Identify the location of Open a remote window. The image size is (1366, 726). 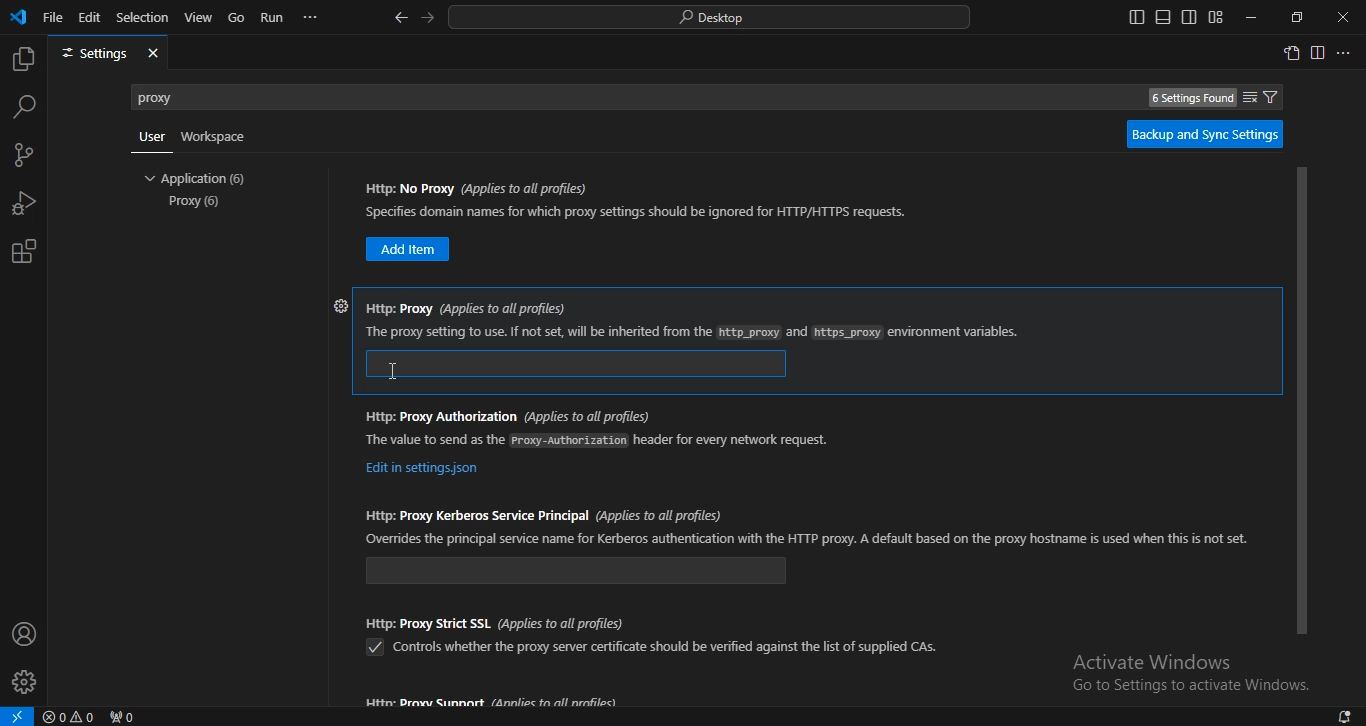
(18, 715).